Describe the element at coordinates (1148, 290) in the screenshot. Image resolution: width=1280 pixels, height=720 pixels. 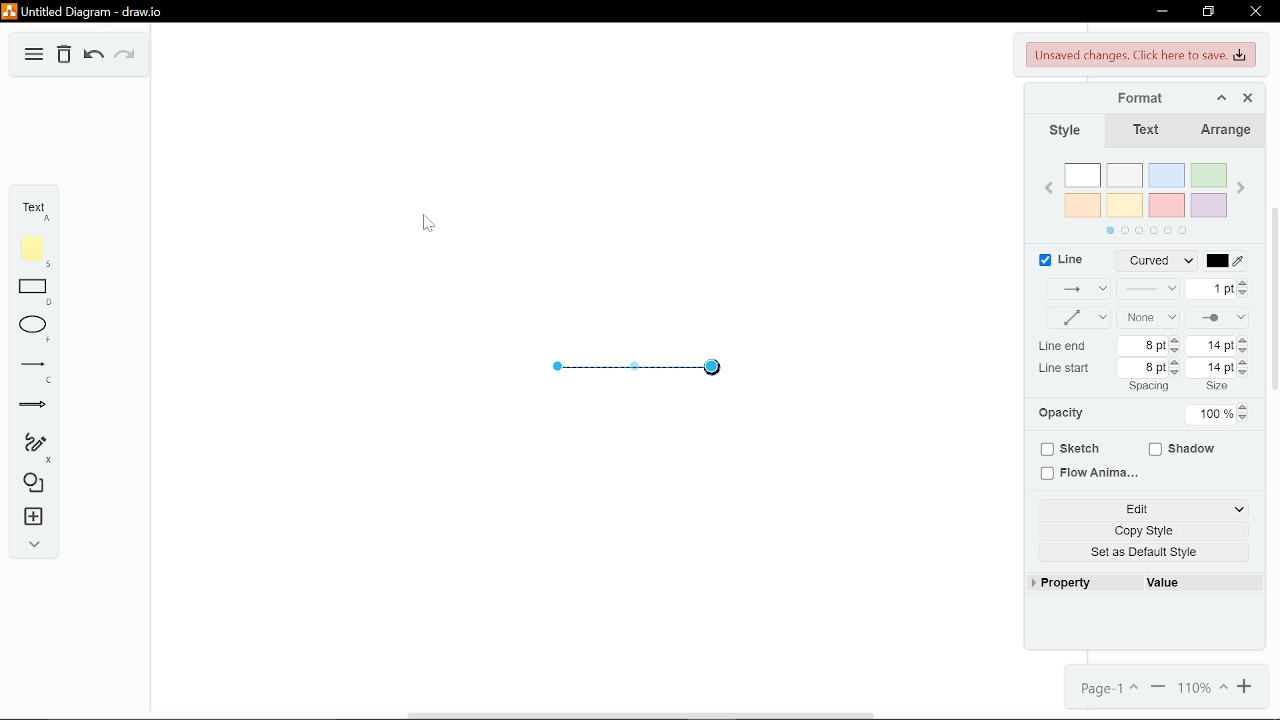
I see `Pattern` at that location.